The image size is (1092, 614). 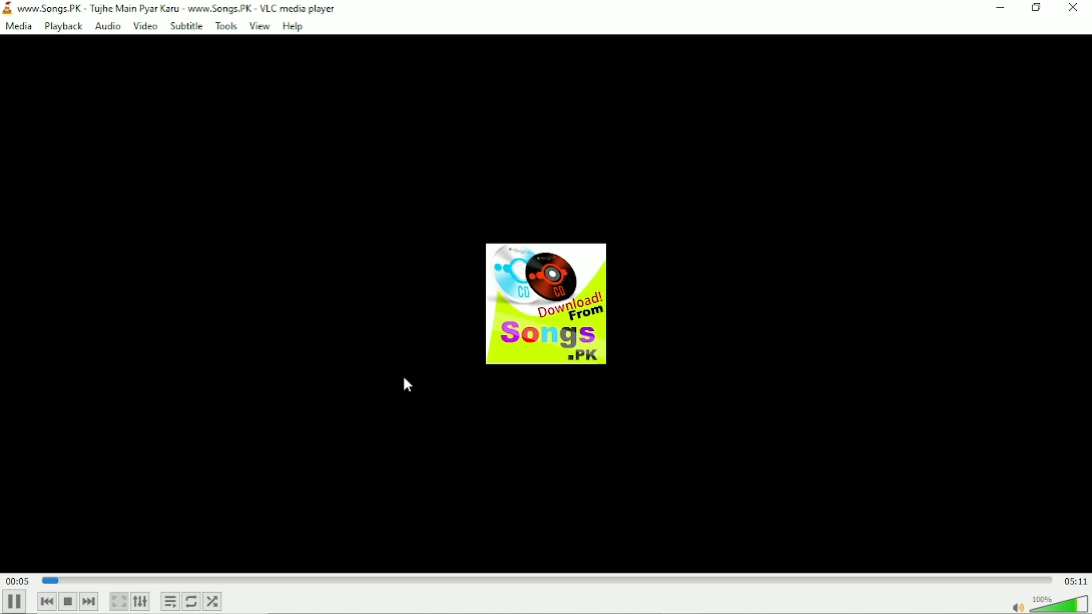 What do you see at coordinates (1001, 8) in the screenshot?
I see `Minimize` at bounding box center [1001, 8].